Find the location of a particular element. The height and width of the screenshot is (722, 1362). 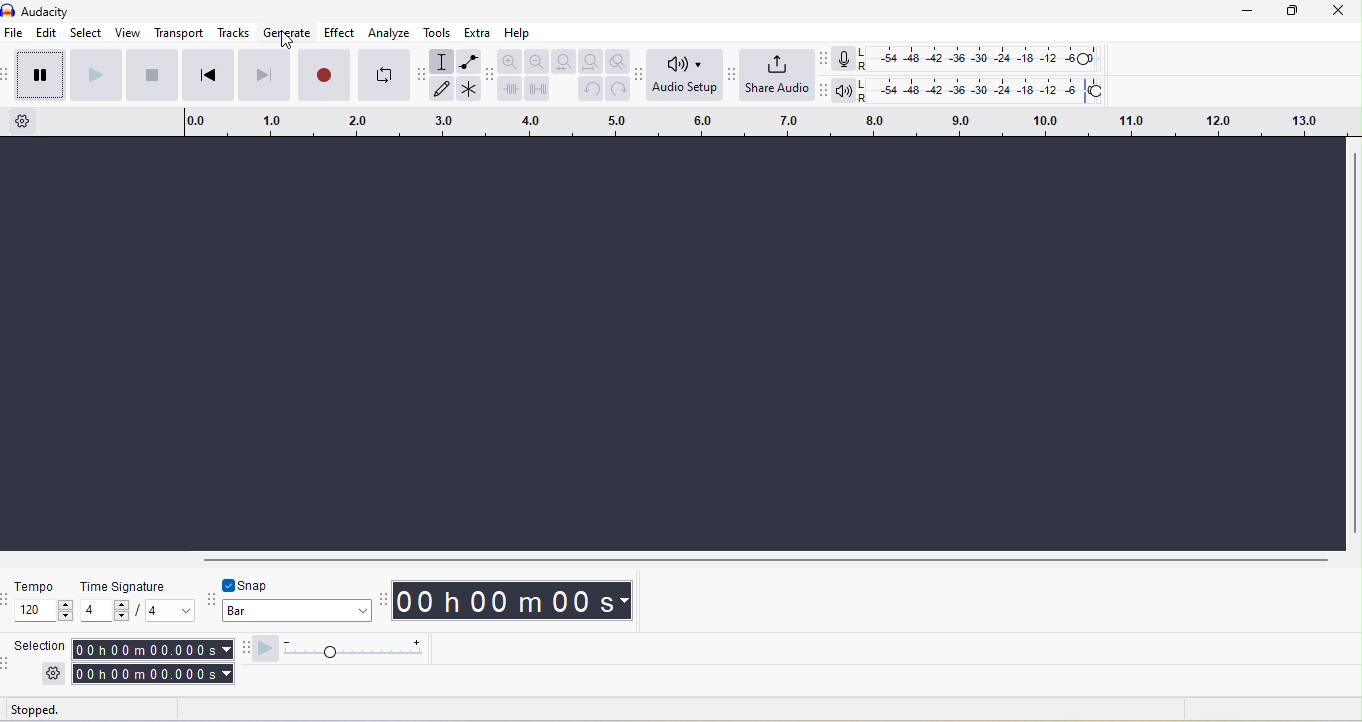

4/4 is located at coordinates (137, 611).